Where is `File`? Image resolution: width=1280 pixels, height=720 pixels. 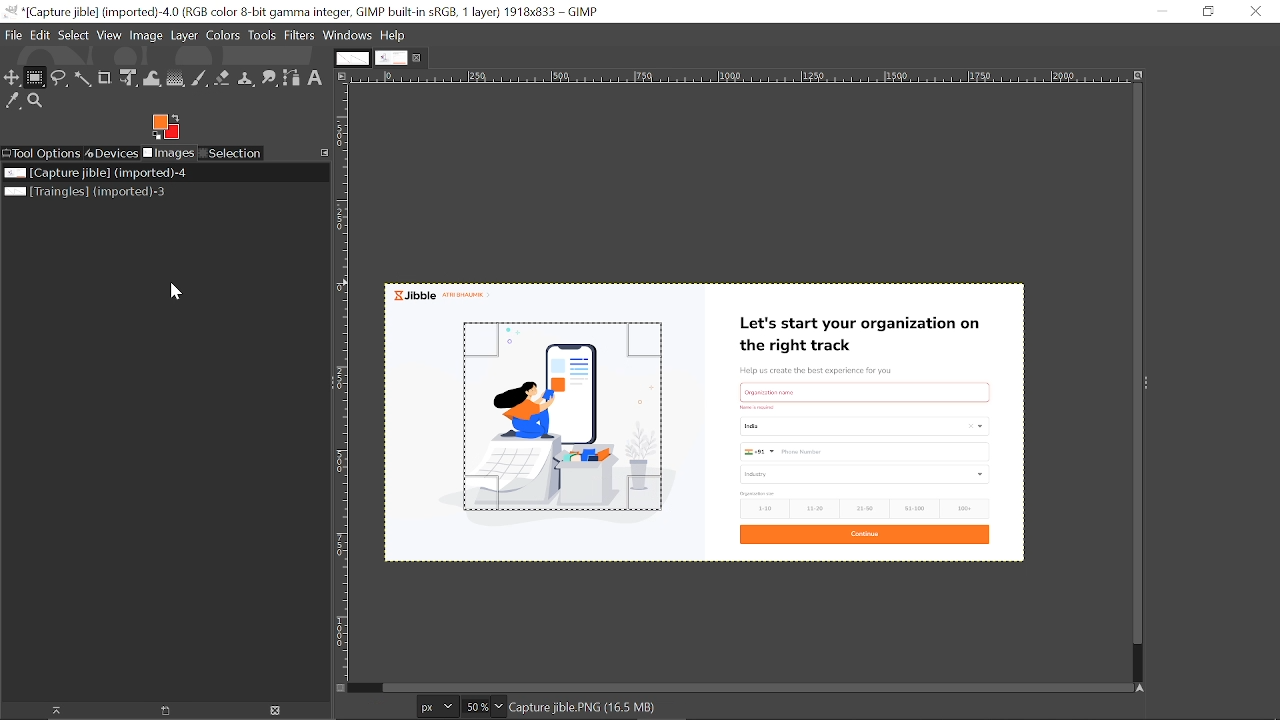
File is located at coordinates (11, 34).